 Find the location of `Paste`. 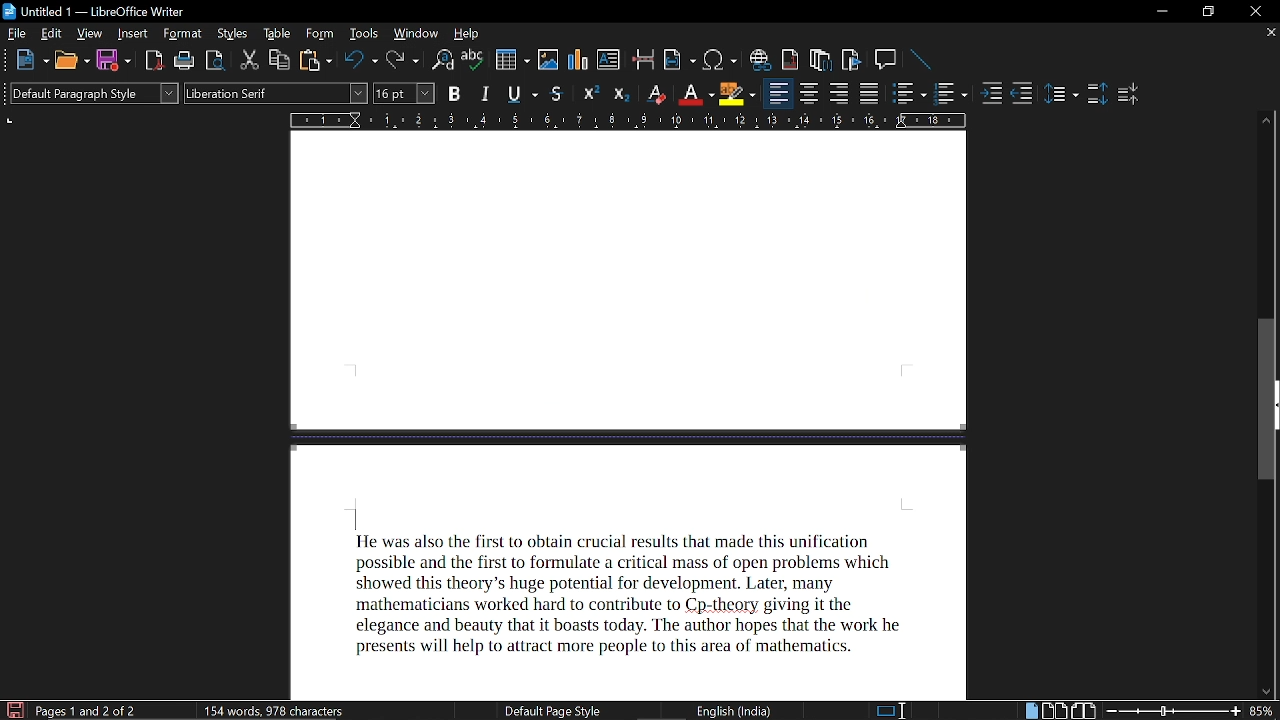

Paste is located at coordinates (316, 60).